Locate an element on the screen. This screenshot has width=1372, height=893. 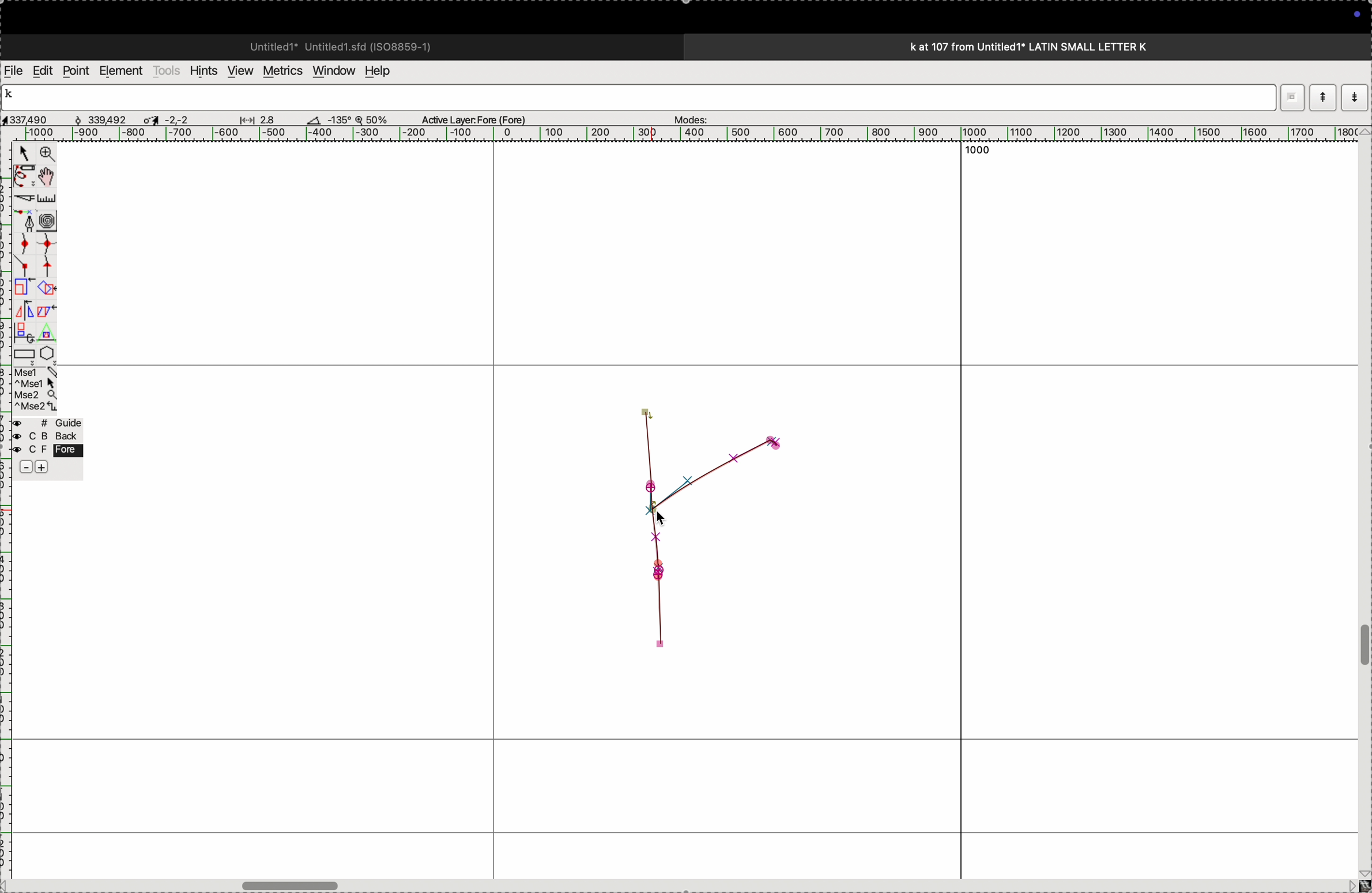
zoom is located at coordinates (45, 155).